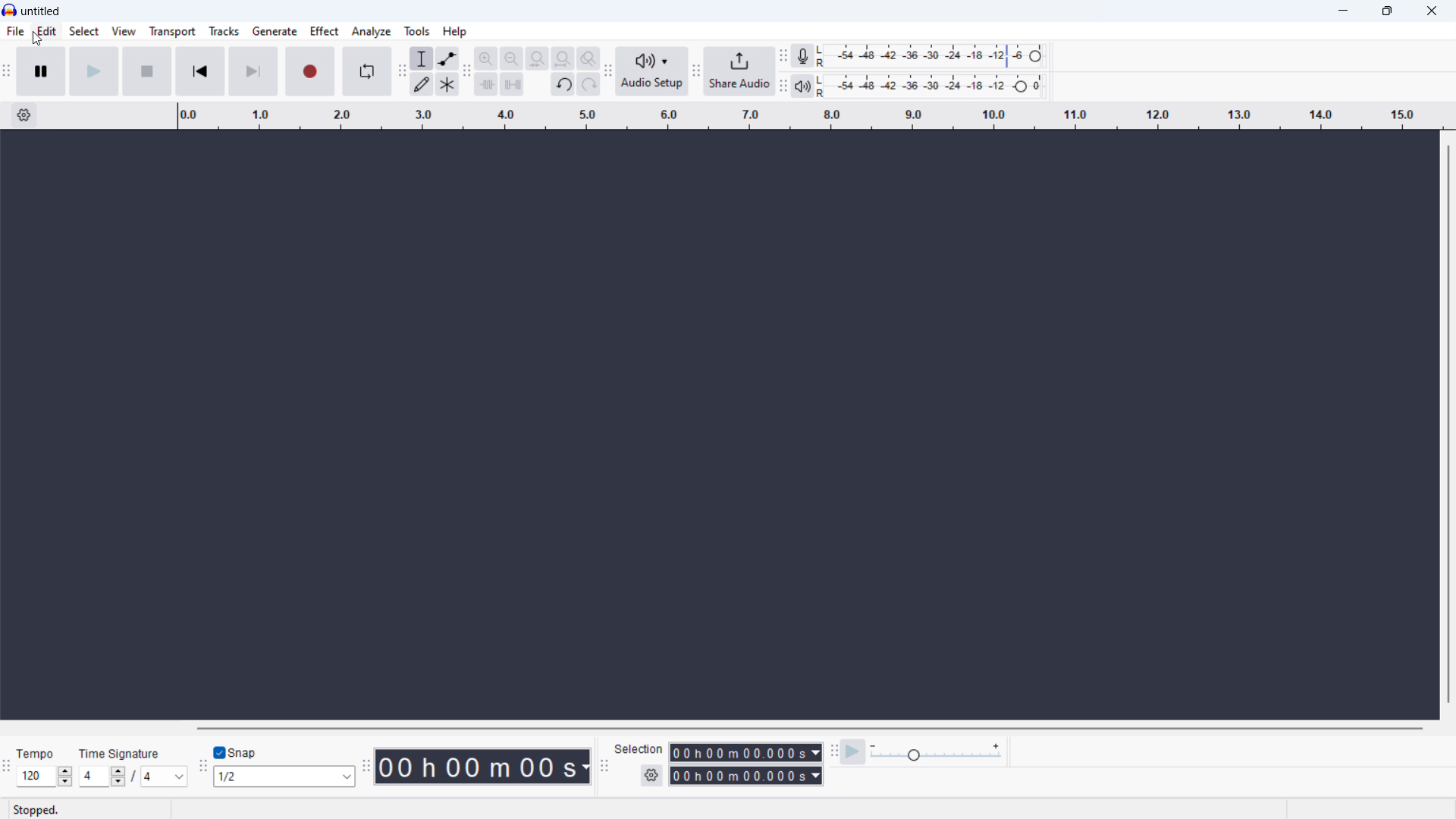  What do you see at coordinates (83, 31) in the screenshot?
I see `select` at bounding box center [83, 31].